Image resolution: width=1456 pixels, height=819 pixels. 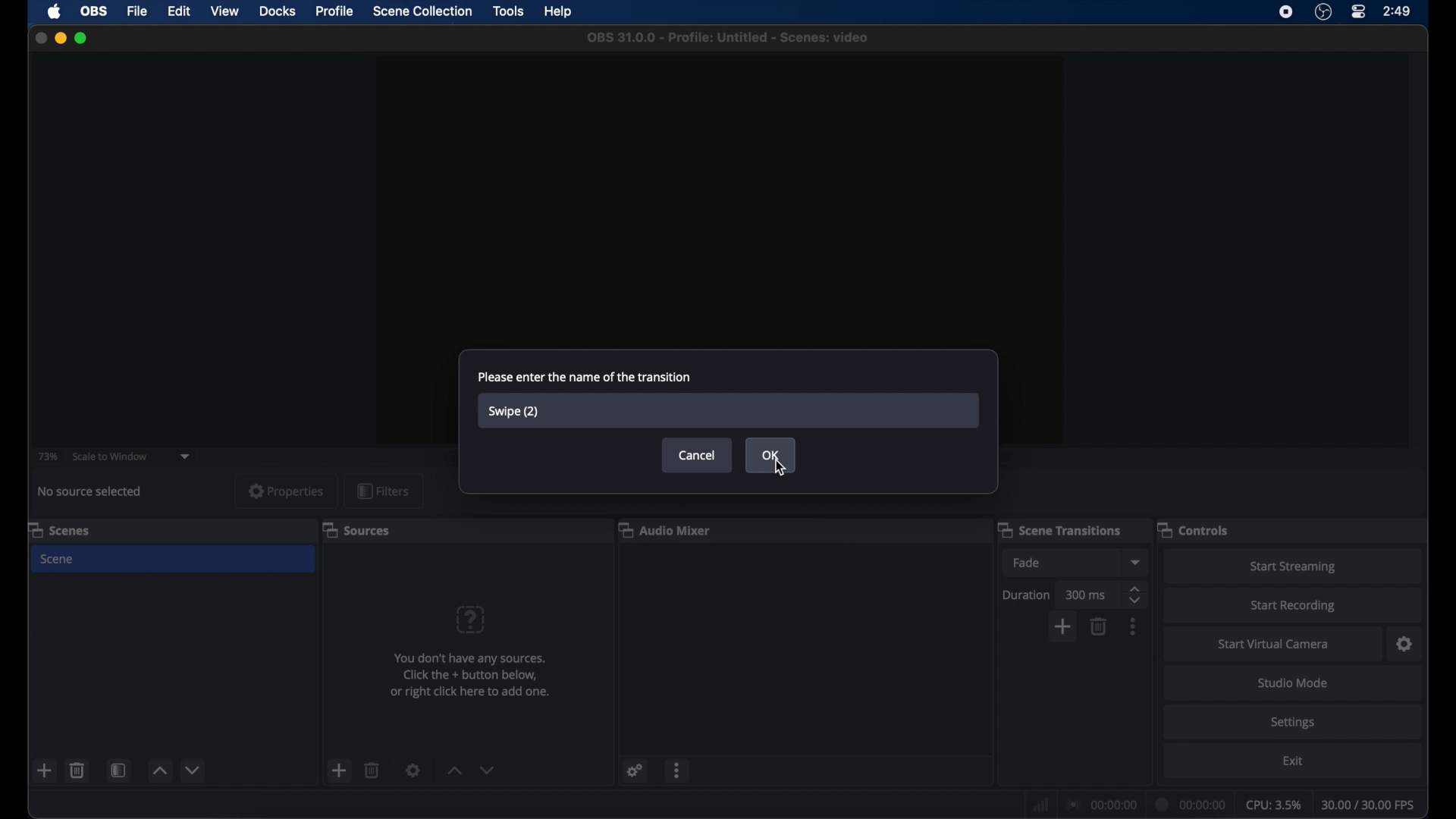 What do you see at coordinates (1100, 804) in the screenshot?
I see `connection` at bounding box center [1100, 804].